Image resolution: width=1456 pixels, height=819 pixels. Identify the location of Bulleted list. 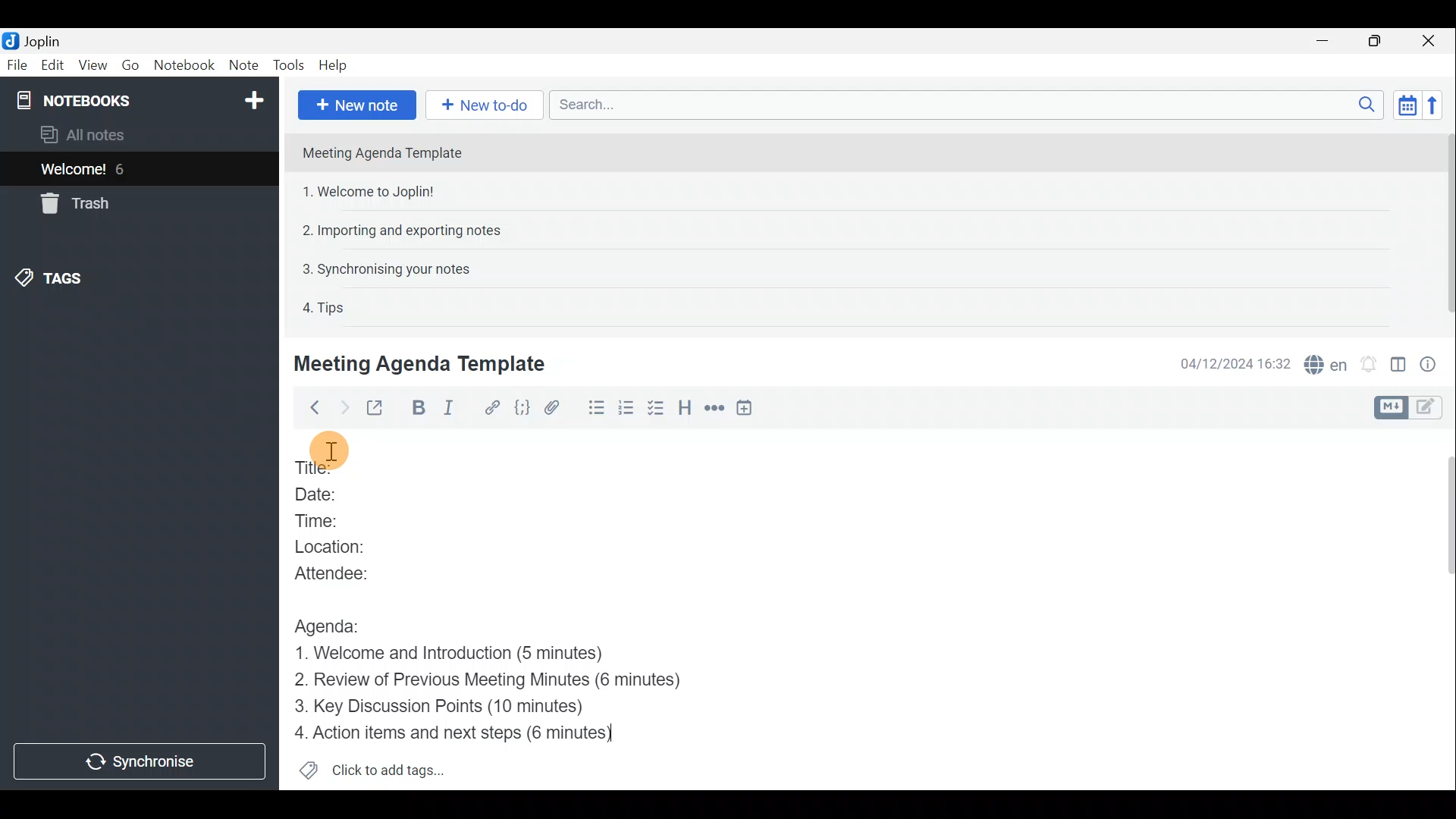
(595, 408).